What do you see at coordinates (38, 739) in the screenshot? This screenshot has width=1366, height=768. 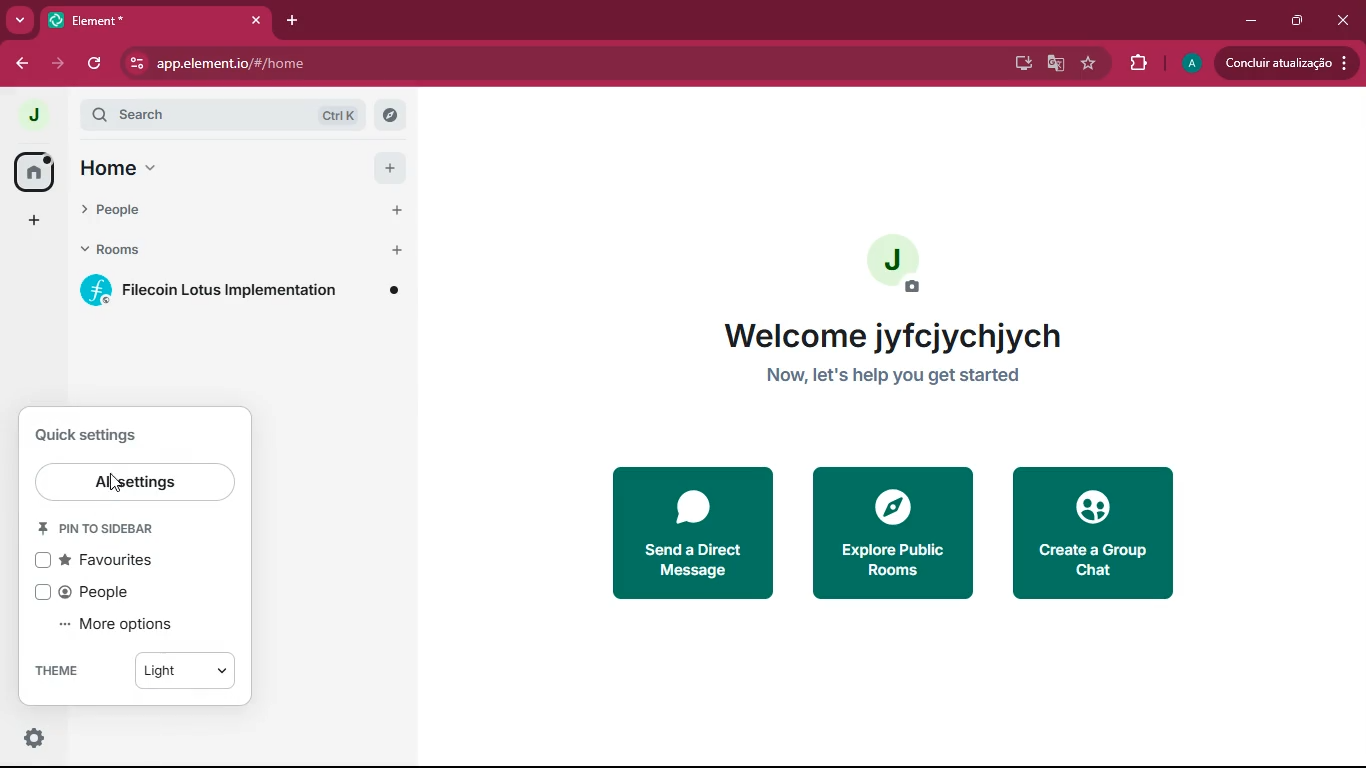 I see `settings` at bounding box center [38, 739].